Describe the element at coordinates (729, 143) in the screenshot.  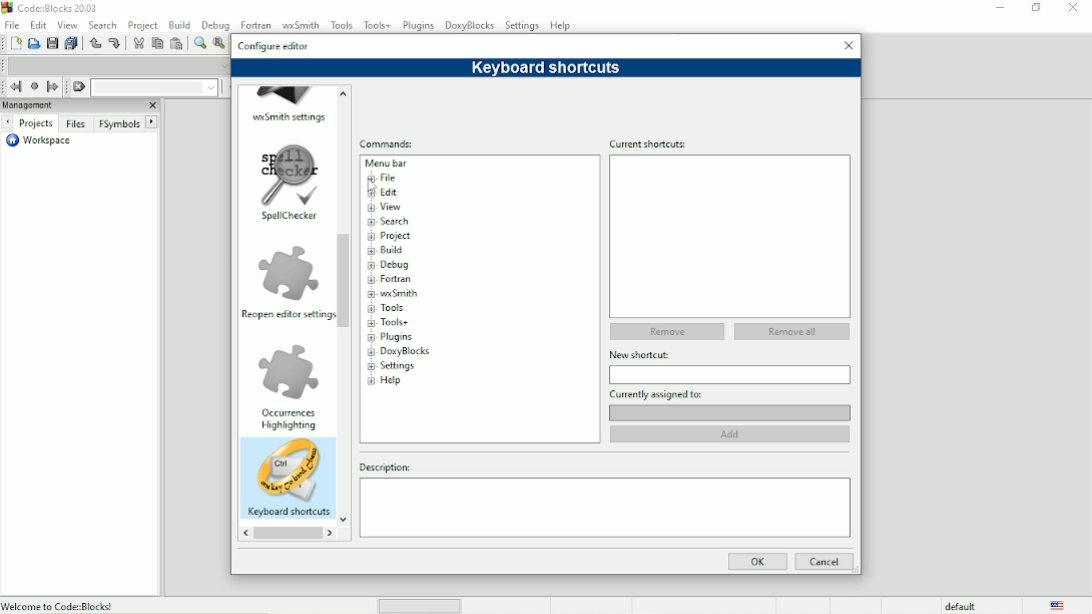
I see `Current shortcuts` at that location.